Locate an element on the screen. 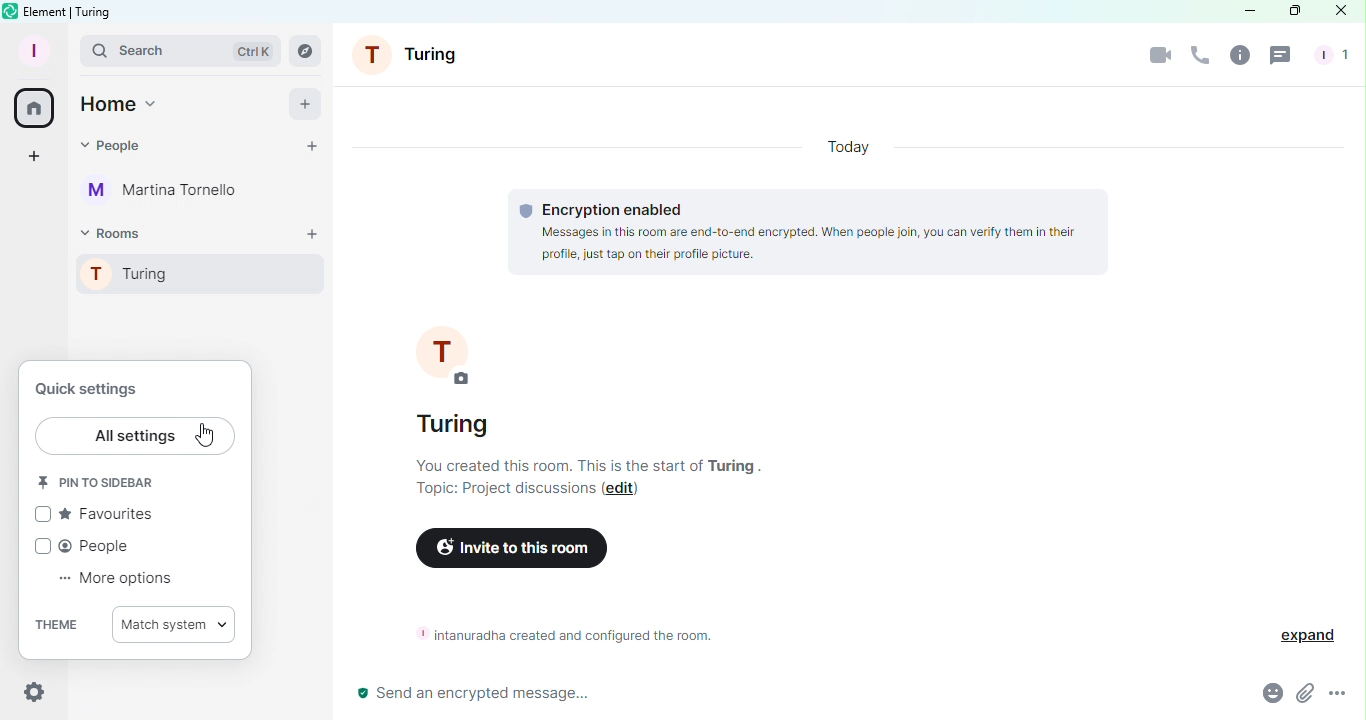 The image size is (1366, 720). Quick settings is located at coordinates (99, 385).